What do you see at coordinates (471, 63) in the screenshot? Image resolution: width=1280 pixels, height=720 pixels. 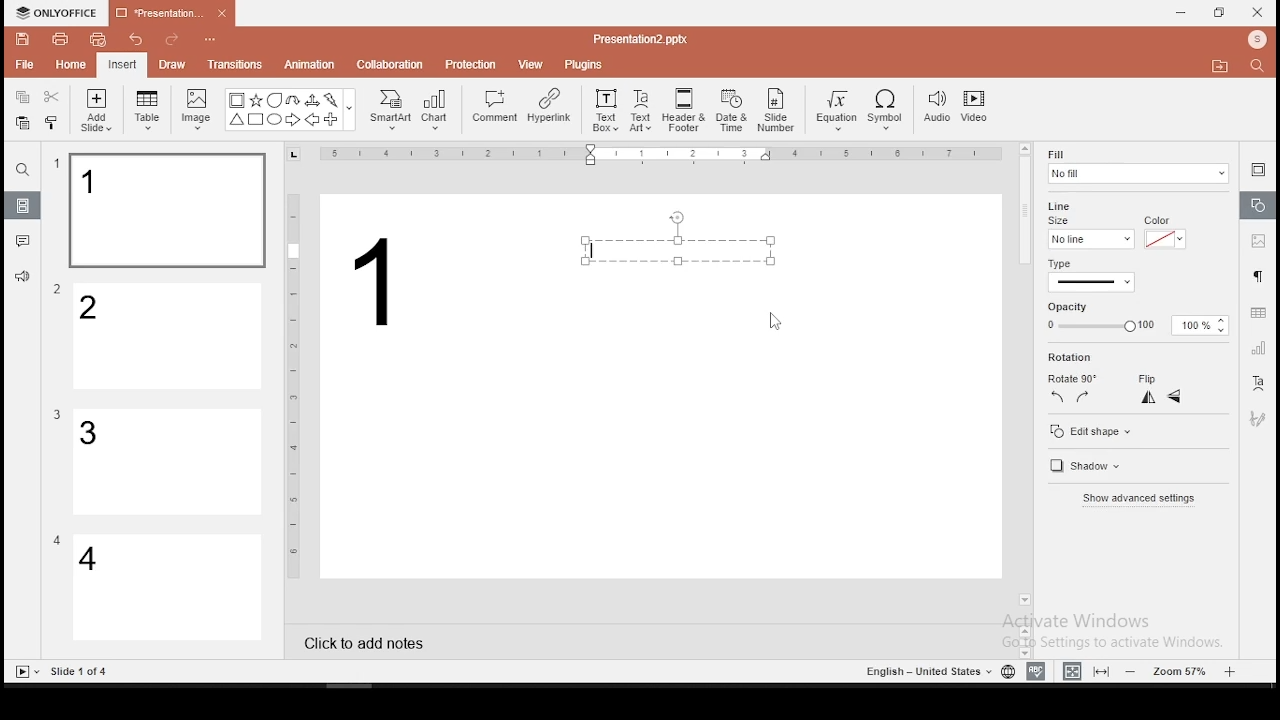 I see `protection` at bounding box center [471, 63].